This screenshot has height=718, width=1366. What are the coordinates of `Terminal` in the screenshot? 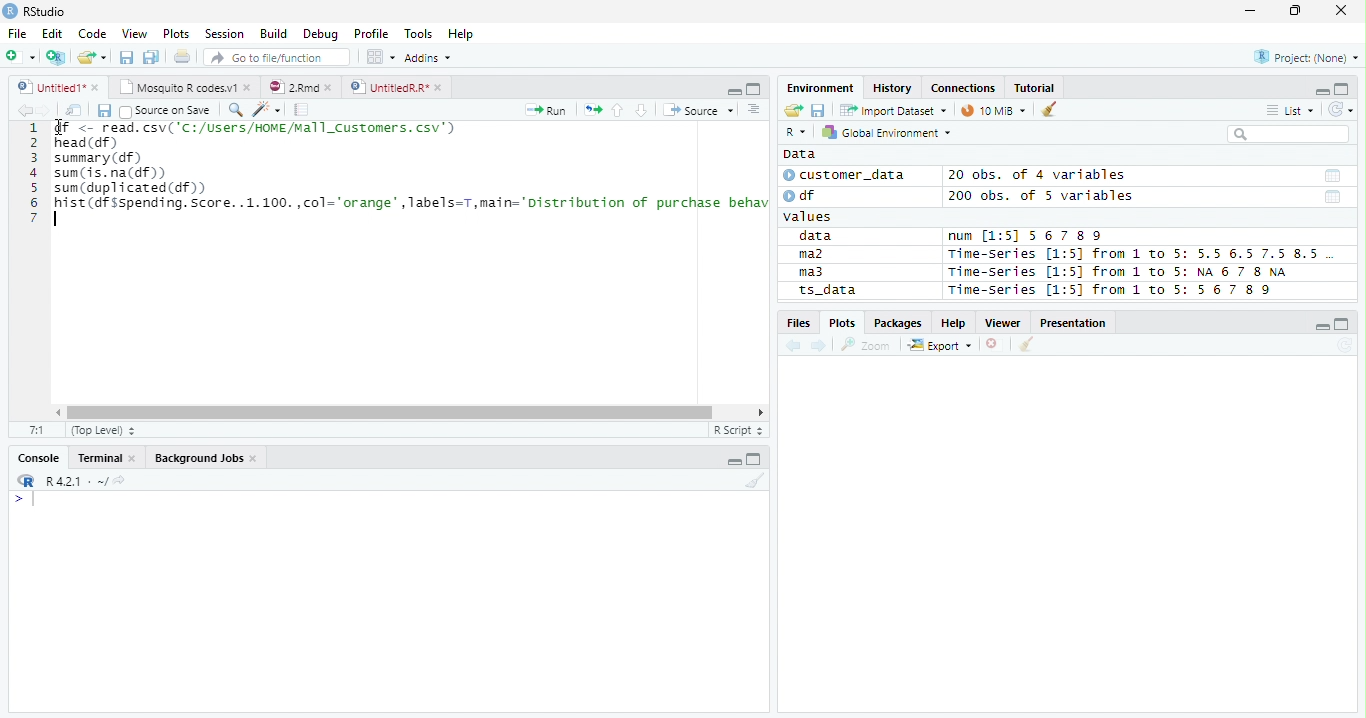 It's located at (106, 460).